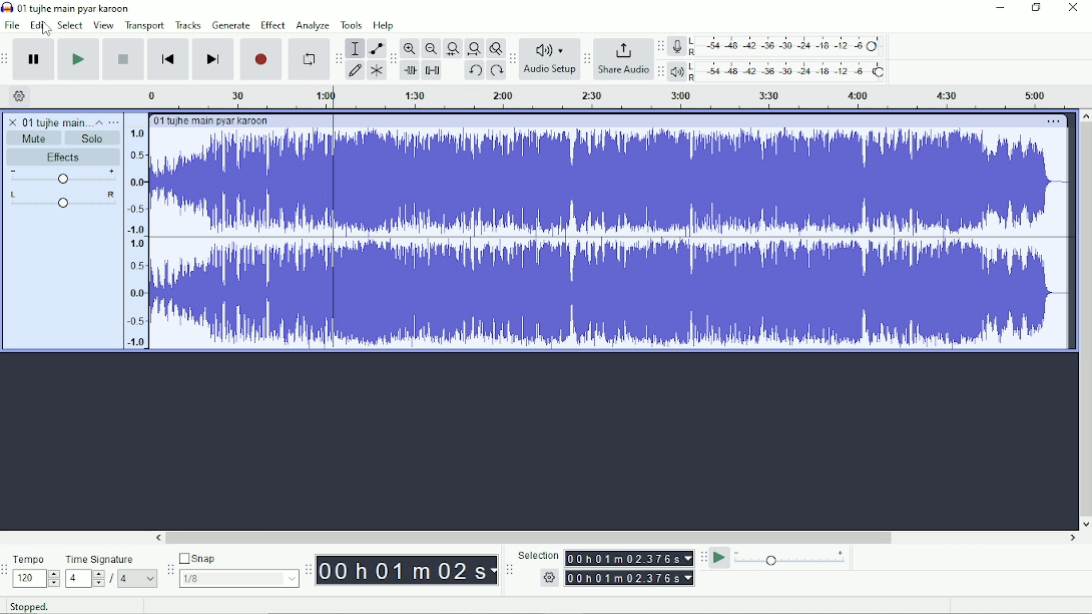 The height and width of the screenshot is (614, 1092). I want to click on Timeline options, so click(20, 97).